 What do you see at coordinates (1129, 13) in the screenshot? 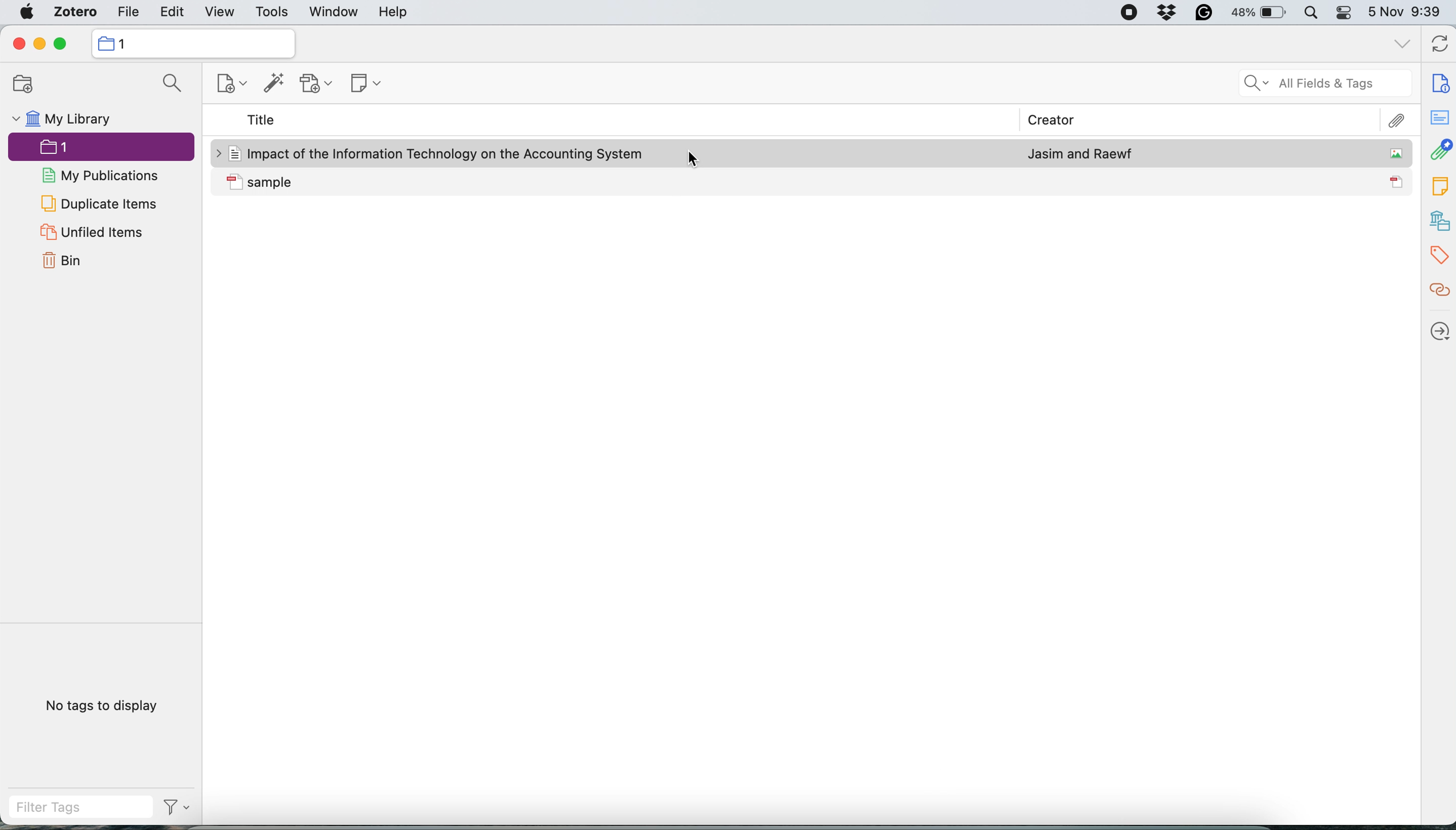
I see `screen recorder` at bounding box center [1129, 13].